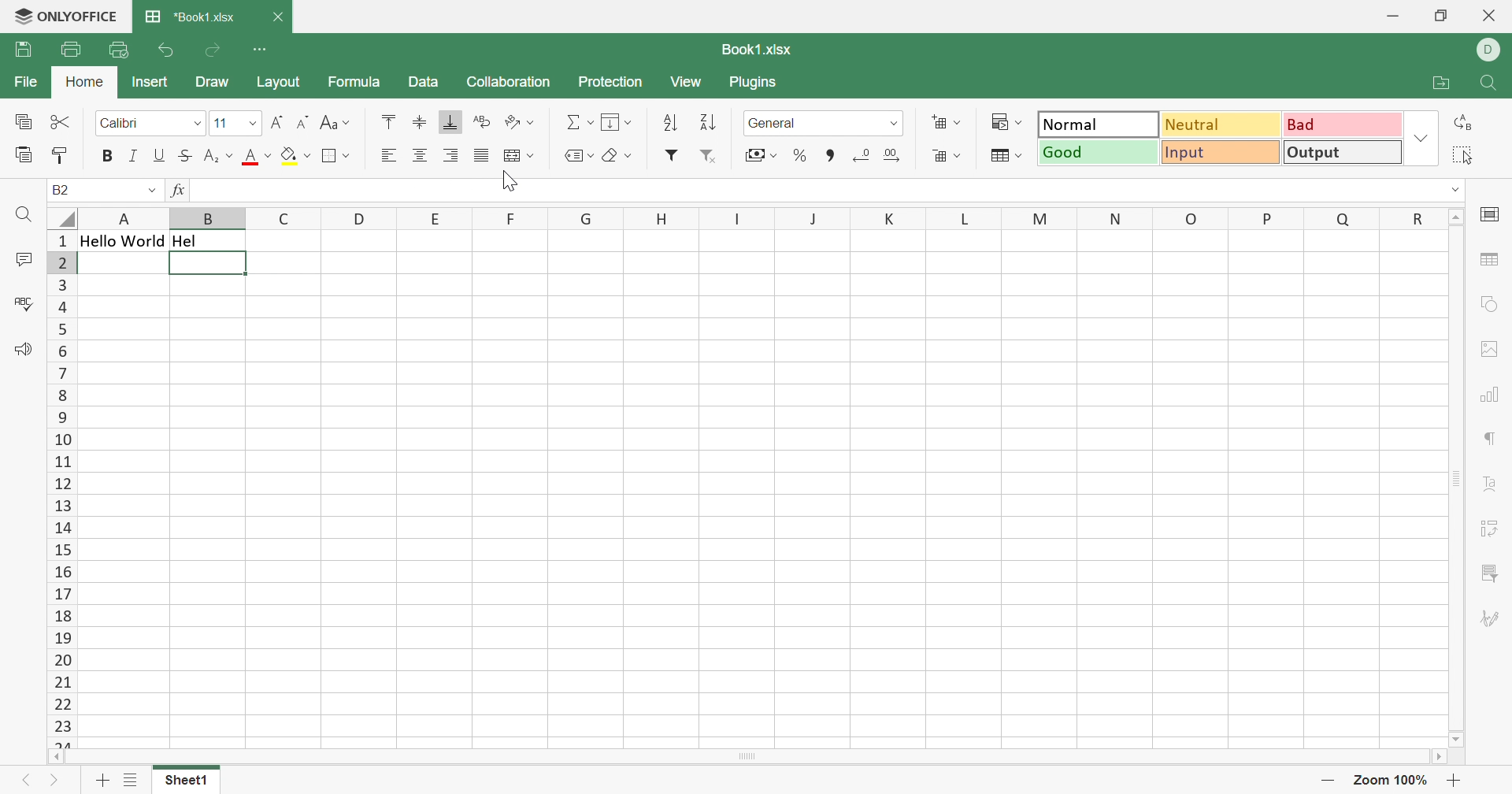 This screenshot has width=1512, height=794. What do you see at coordinates (1492, 573) in the screenshot?
I see `Slicer settings` at bounding box center [1492, 573].